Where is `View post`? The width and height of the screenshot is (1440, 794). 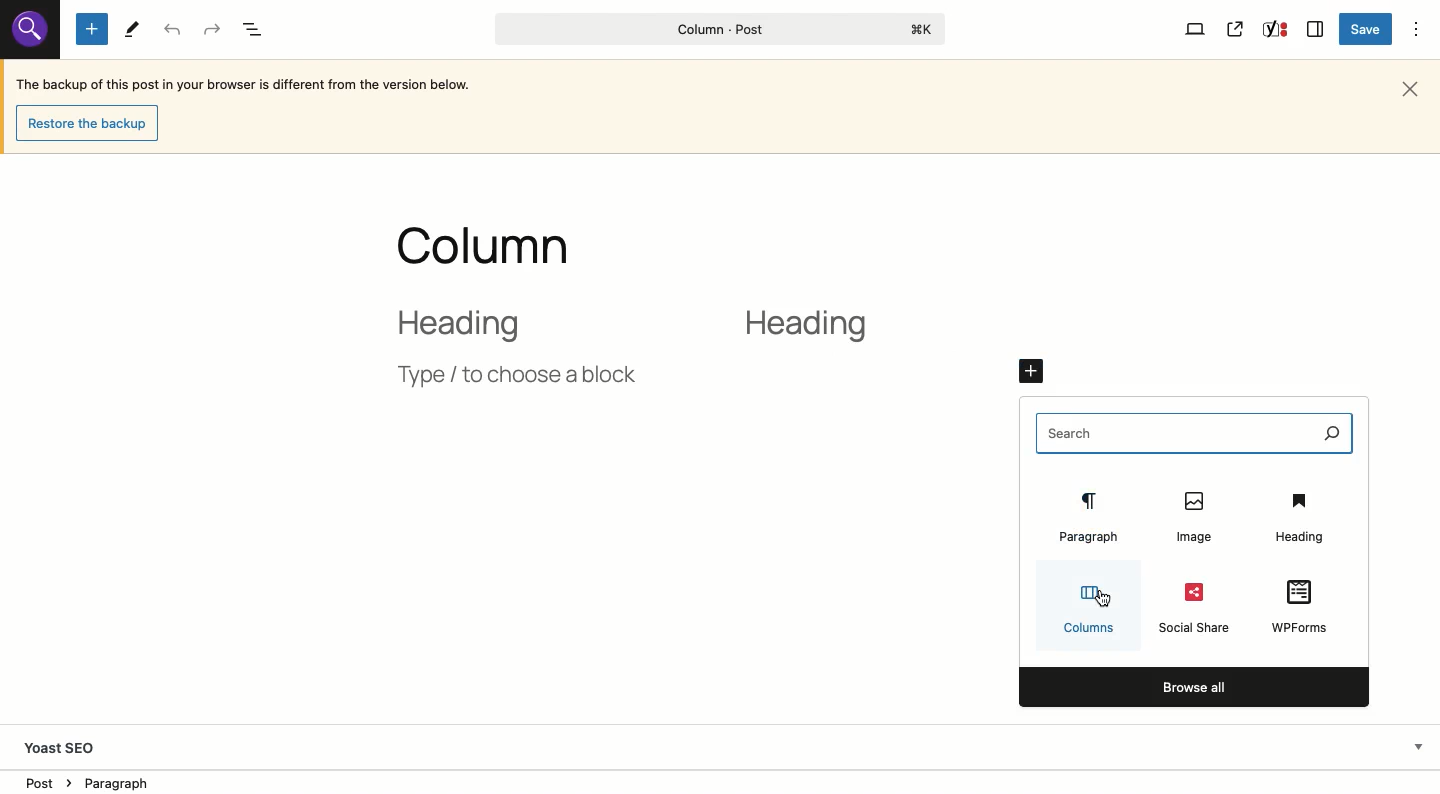
View post is located at coordinates (1236, 29).